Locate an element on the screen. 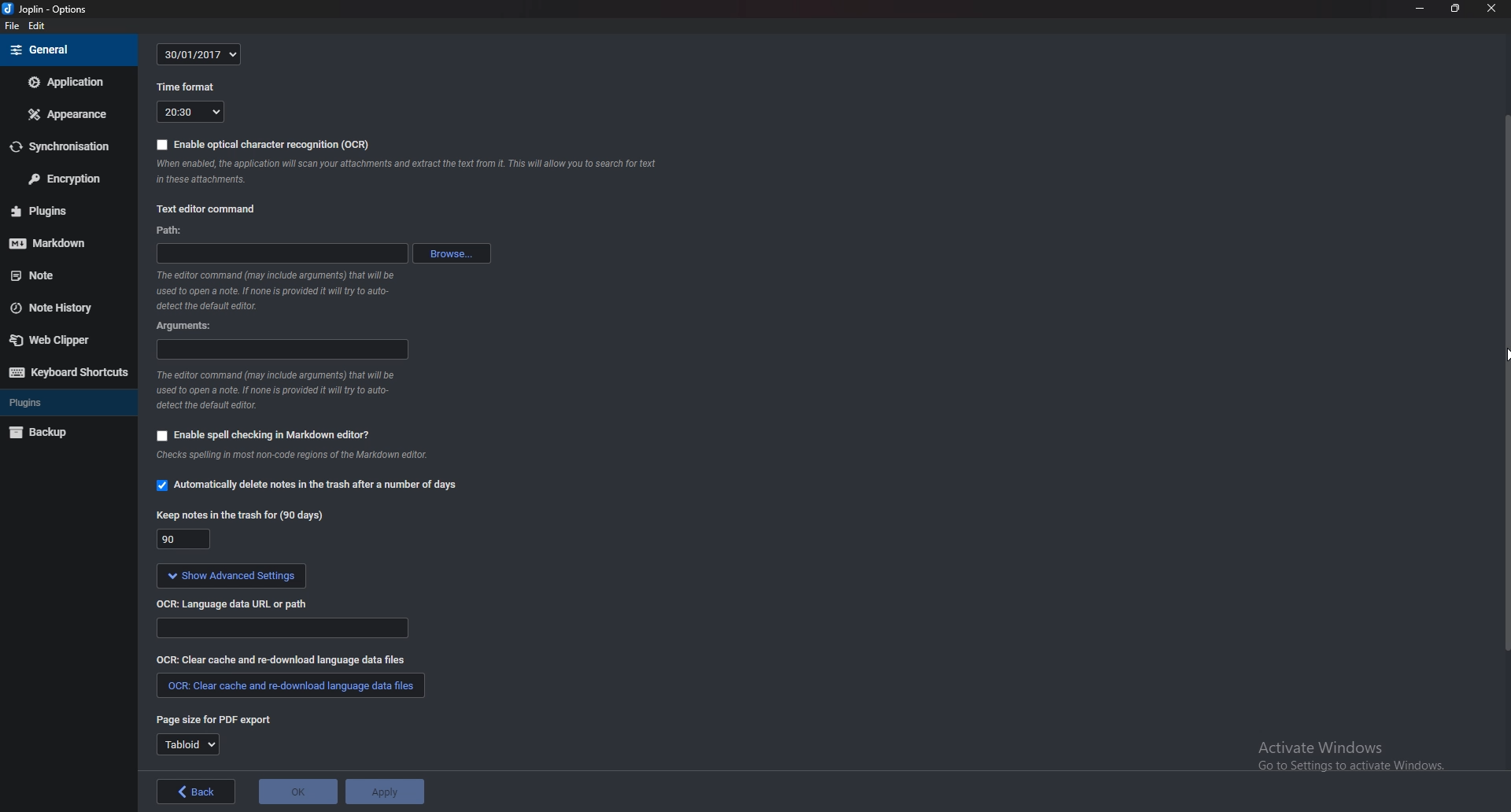  info is located at coordinates (283, 391).